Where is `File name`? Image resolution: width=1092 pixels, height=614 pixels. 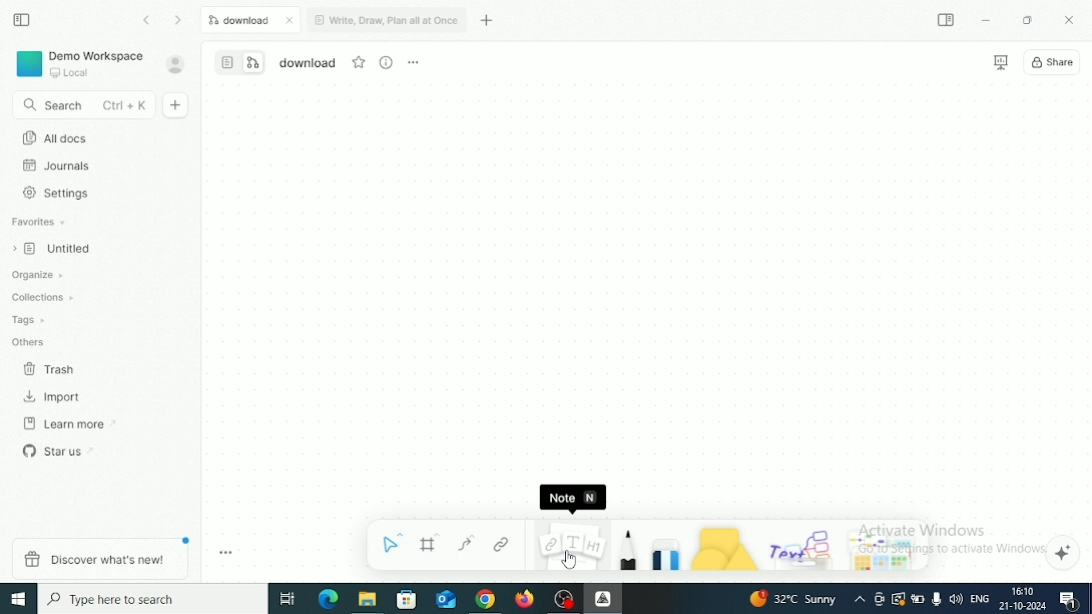
File name is located at coordinates (308, 64).